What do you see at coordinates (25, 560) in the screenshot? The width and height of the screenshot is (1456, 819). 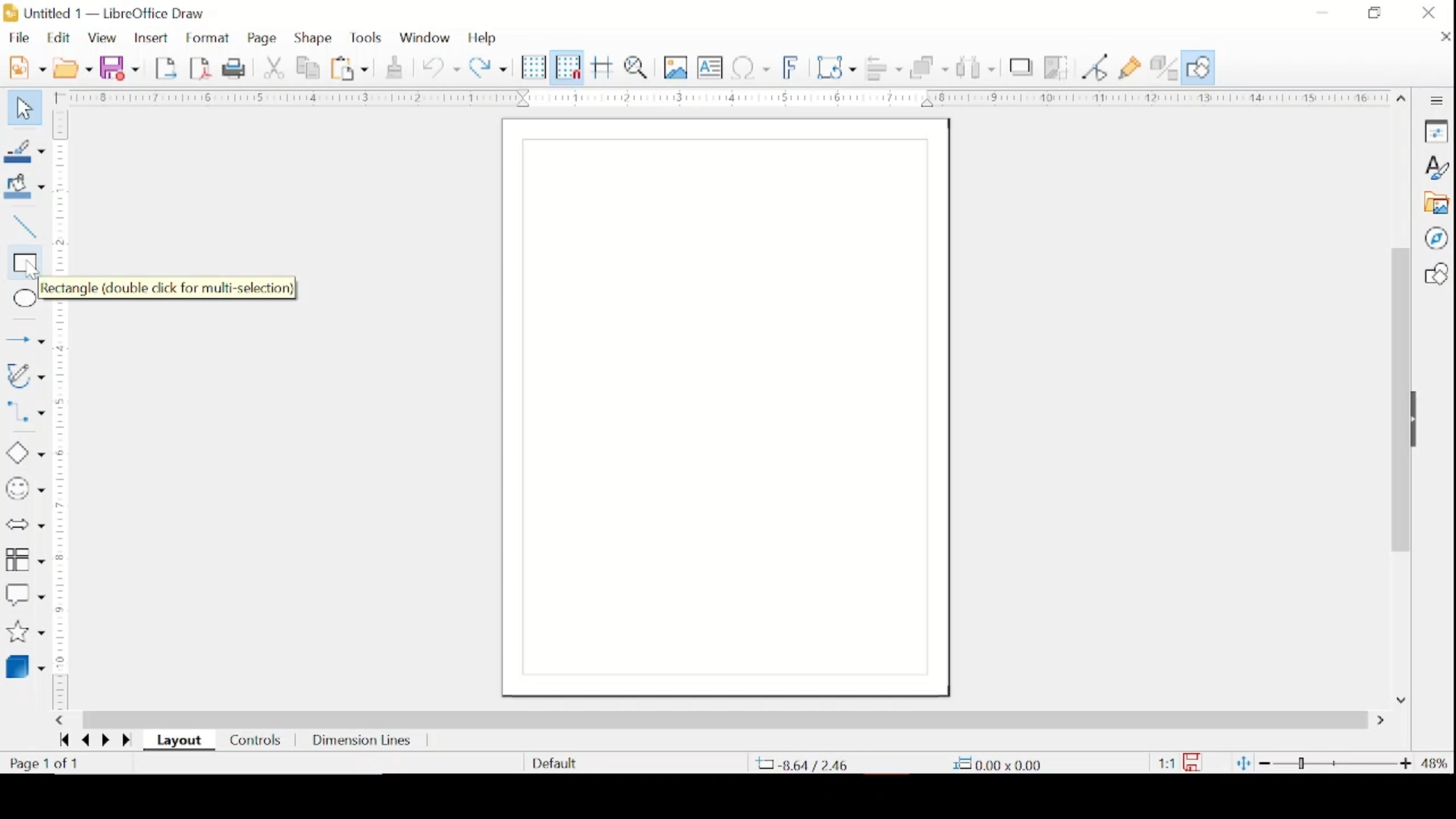 I see `flowchart` at bounding box center [25, 560].